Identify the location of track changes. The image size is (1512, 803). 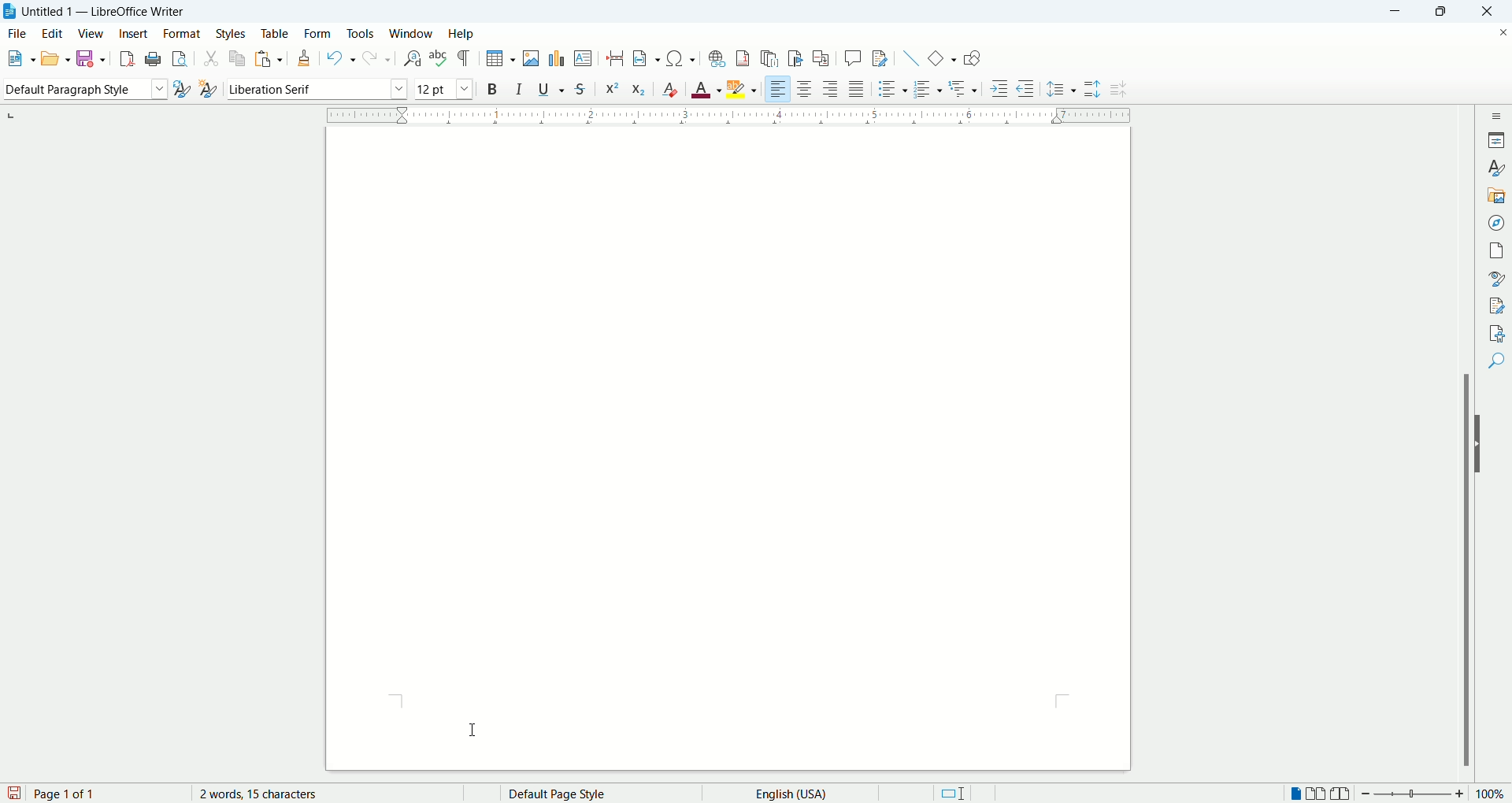
(880, 59).